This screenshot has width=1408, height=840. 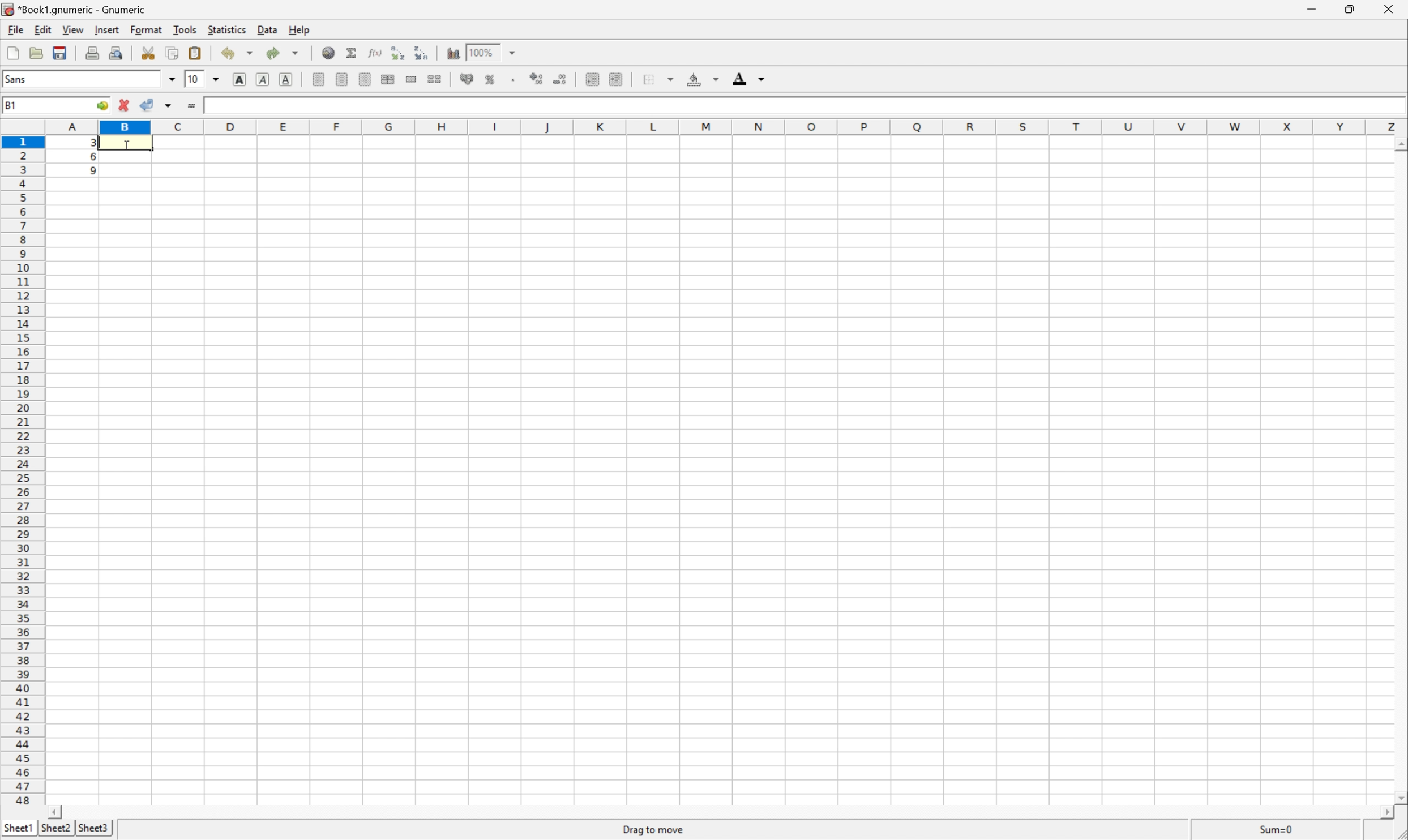 What do you see at coordinates (148, 53) in the screenshot?
I see `Cut selection` at bounding box center [148, 53].